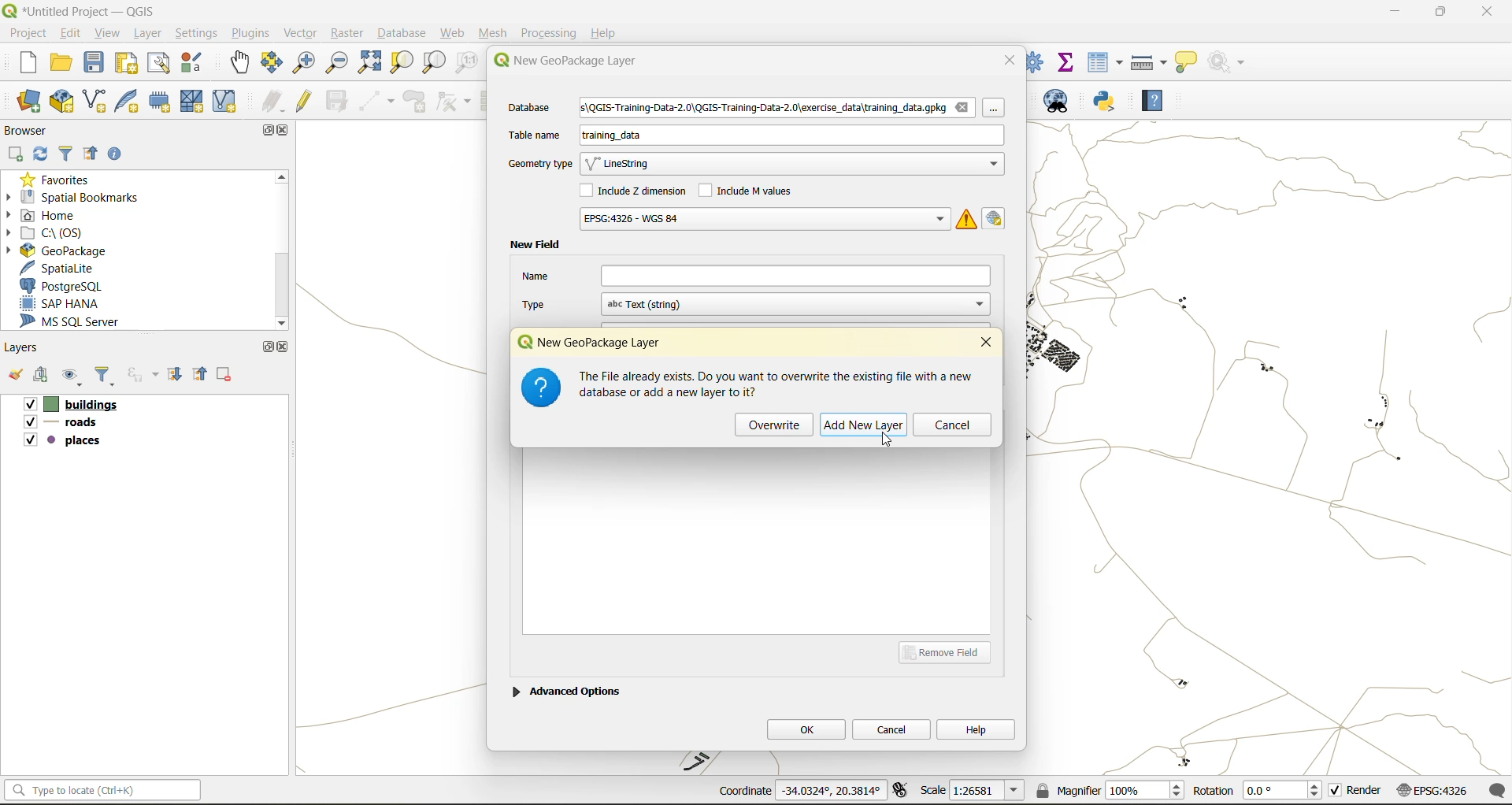  Describe the element at coordinates (194, 63) in the screenshot. I see `style manager` at that location.